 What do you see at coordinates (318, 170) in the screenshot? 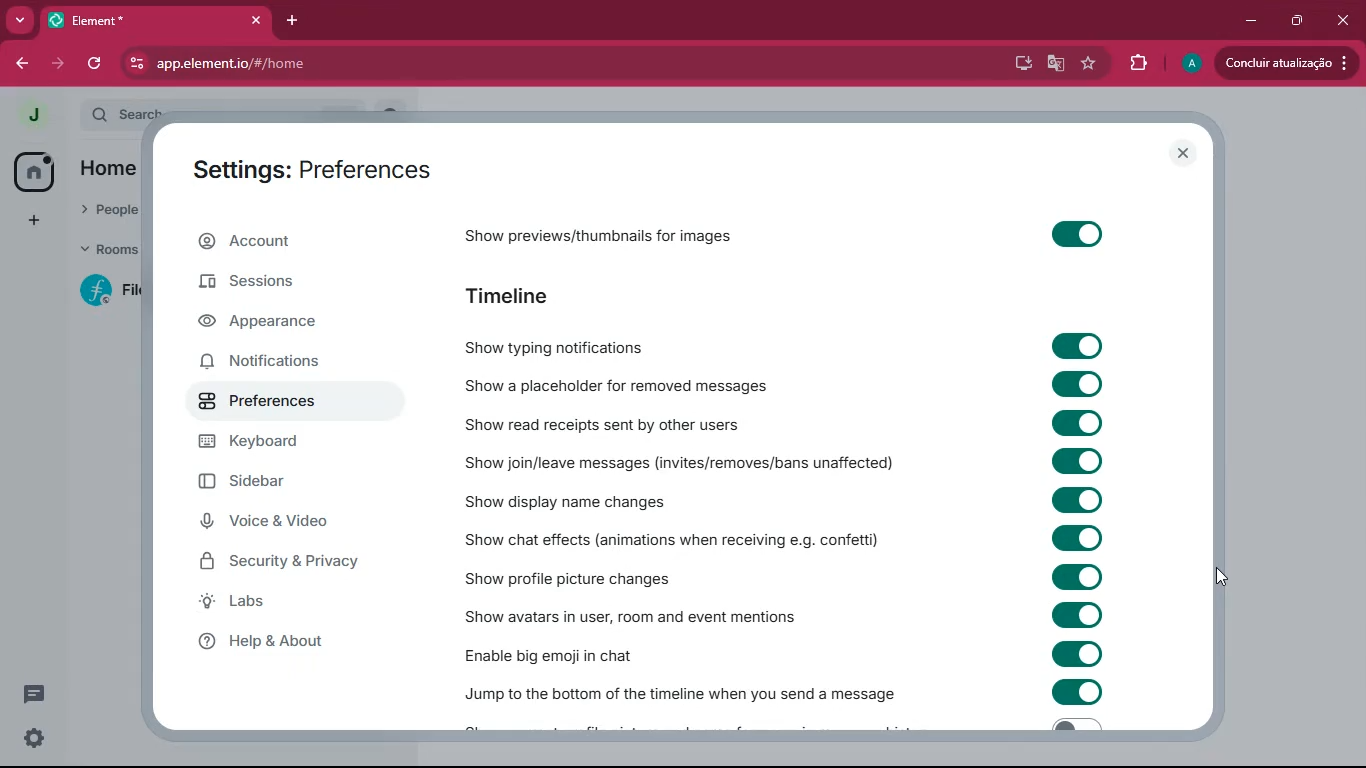
I see `settings: preferences` at bounding box center [318, 170].